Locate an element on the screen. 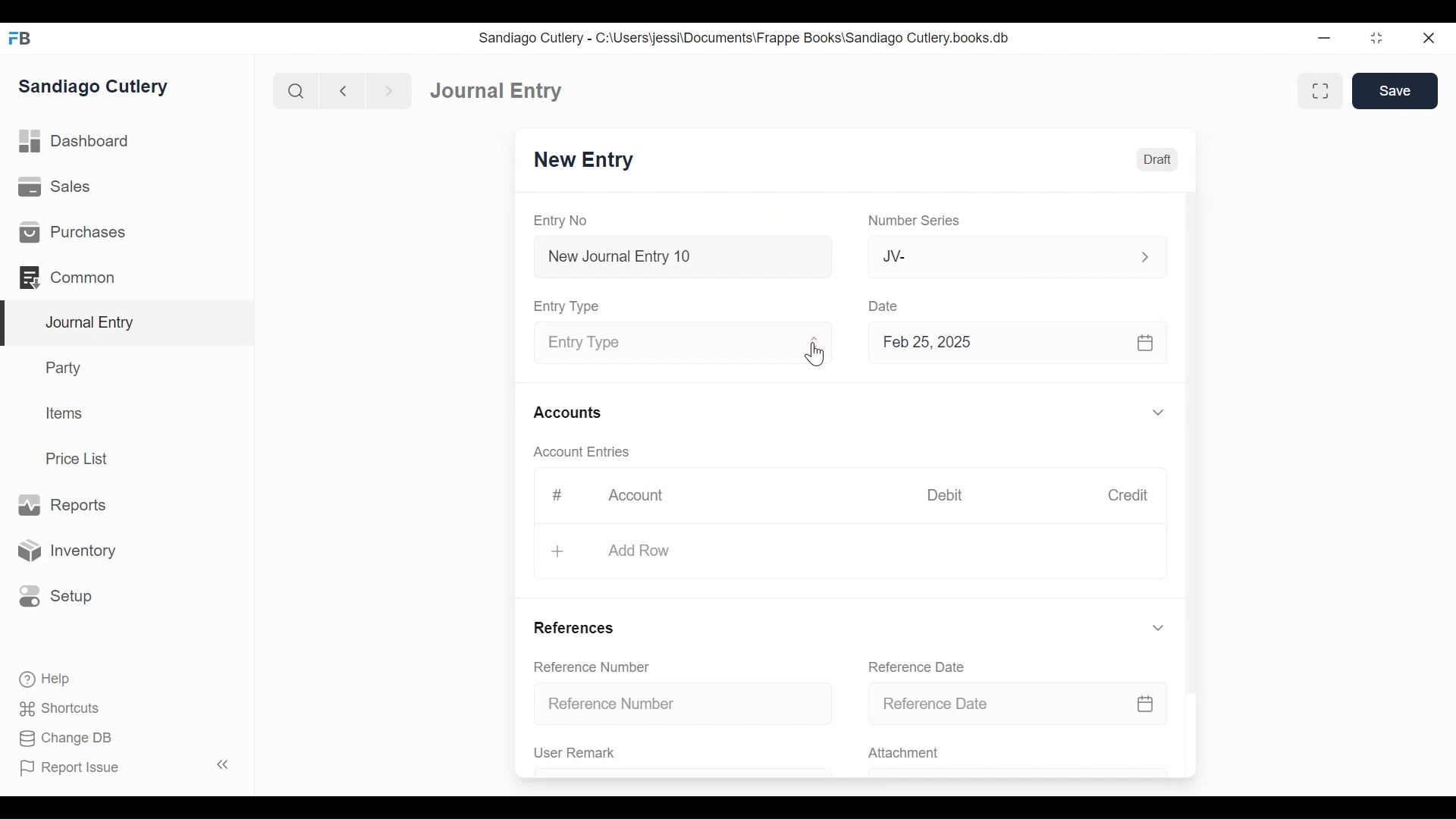 Image resolution: width=1456 pixels, height=819 pixels. Cursor is located at coordinates (817, 355).